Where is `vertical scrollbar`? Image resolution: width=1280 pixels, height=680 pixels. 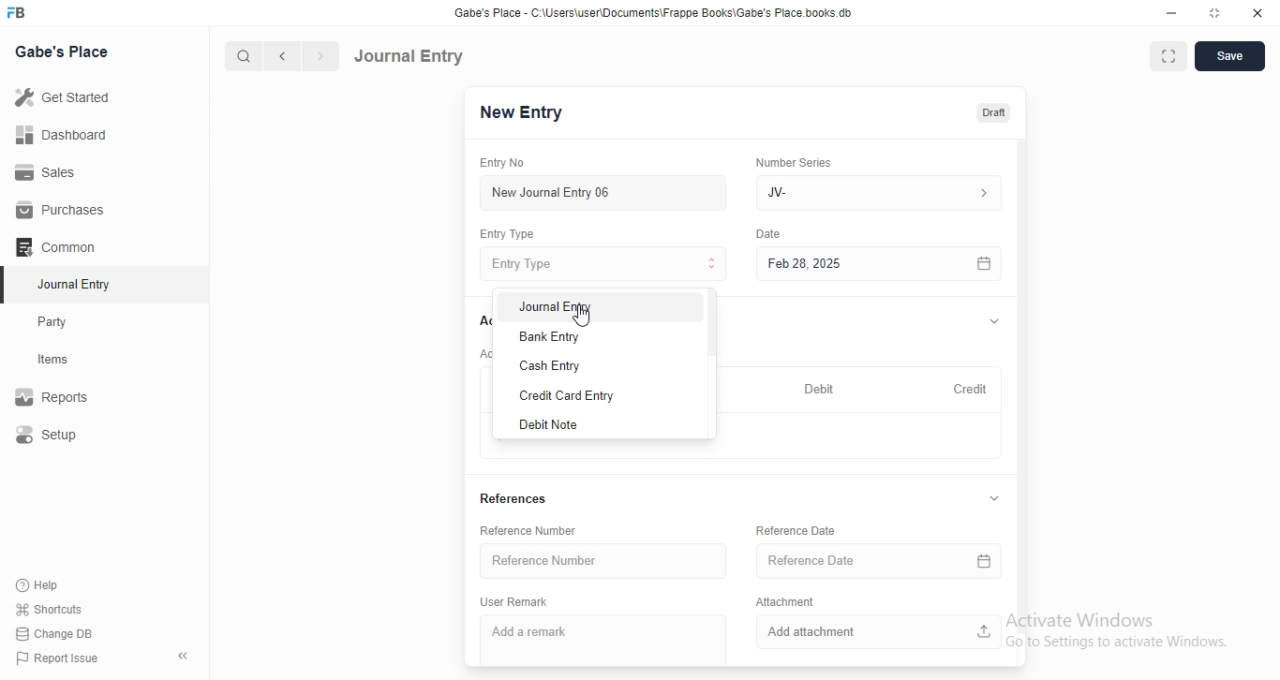 vertical scrollbar is located at coordinates (1020, 375).